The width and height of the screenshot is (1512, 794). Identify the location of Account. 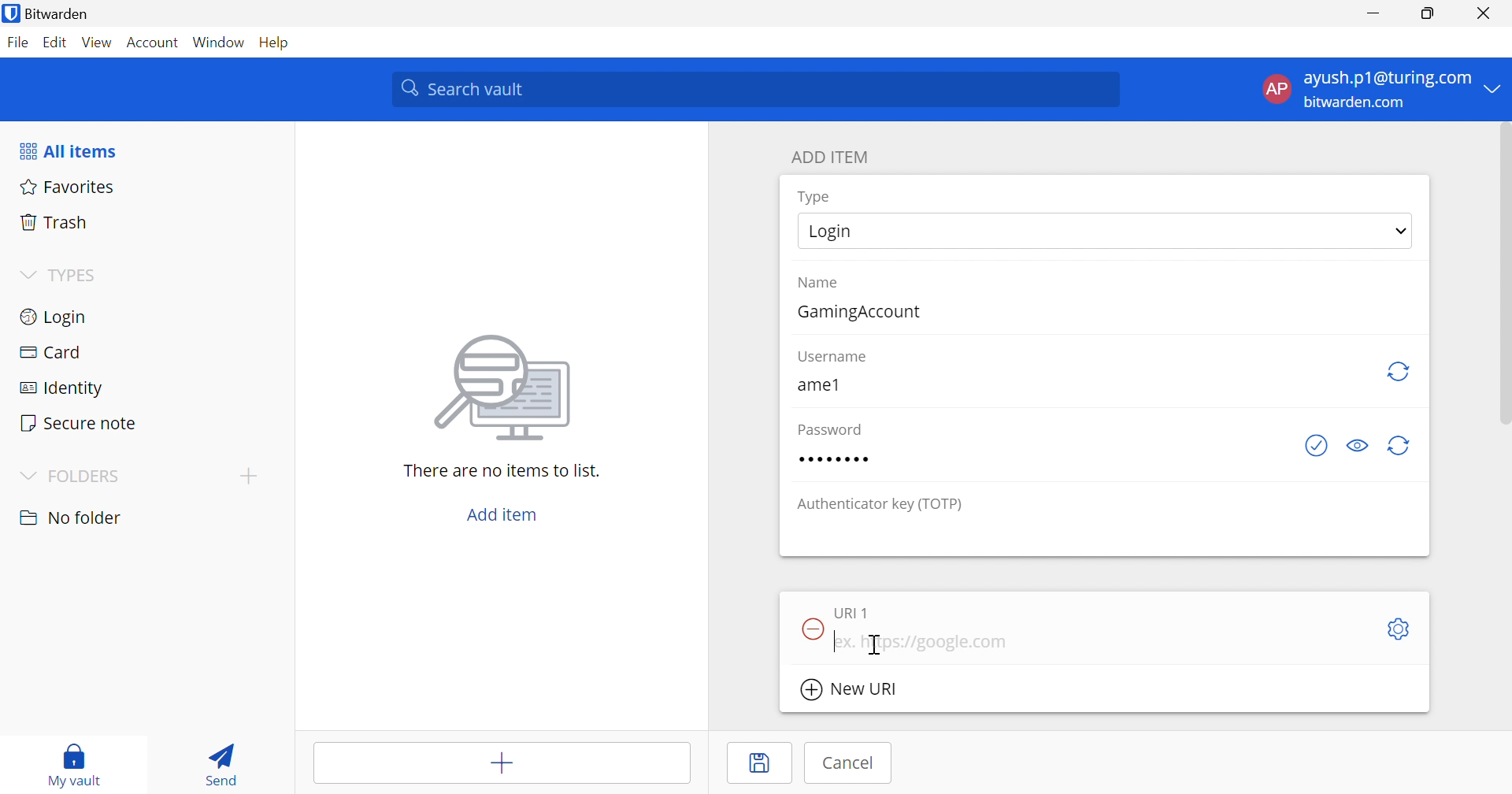
(154, 41).